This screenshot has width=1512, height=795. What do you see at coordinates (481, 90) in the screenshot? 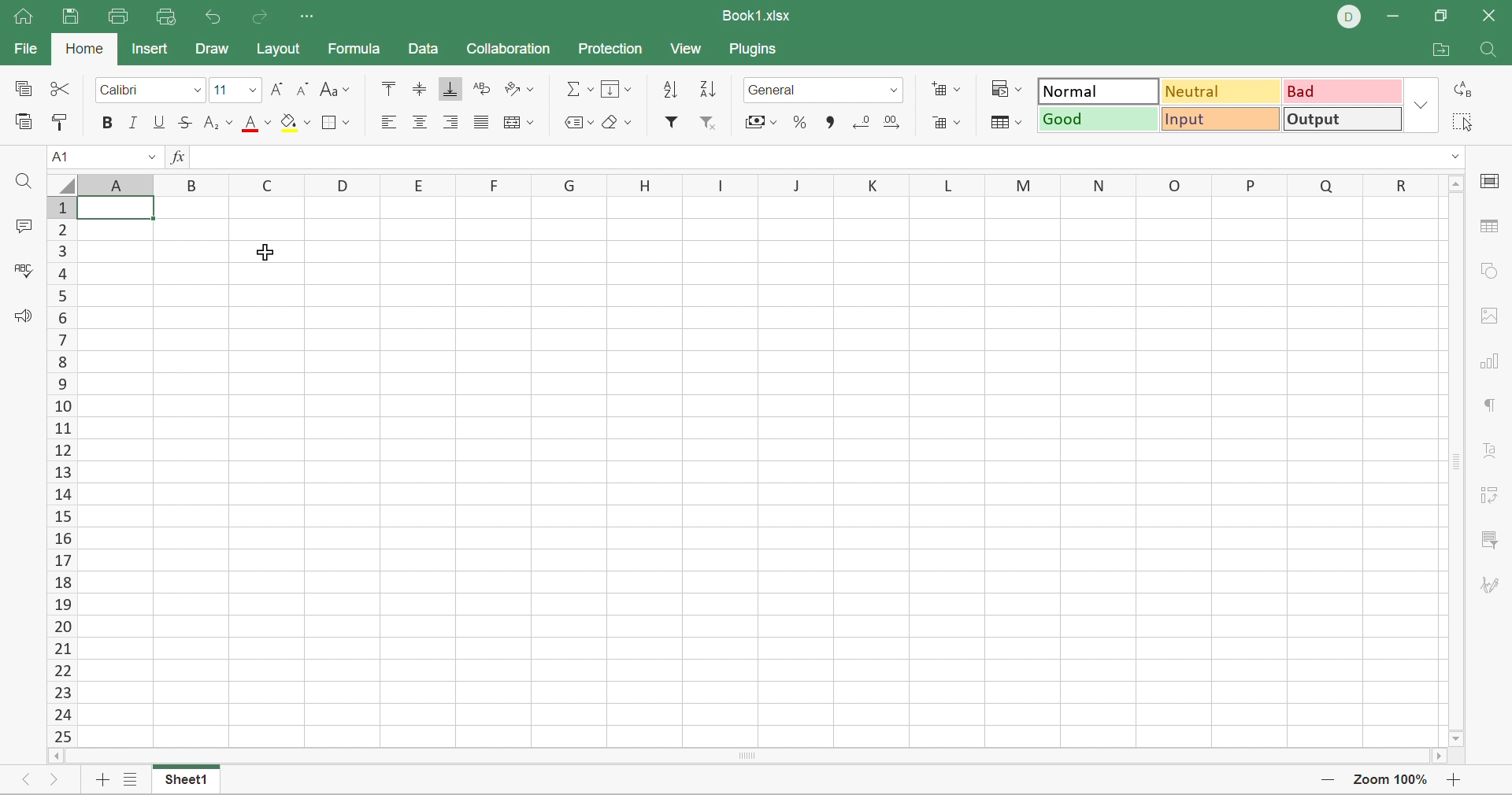
I see `Wrap Text` at bounding box center [481, 90].